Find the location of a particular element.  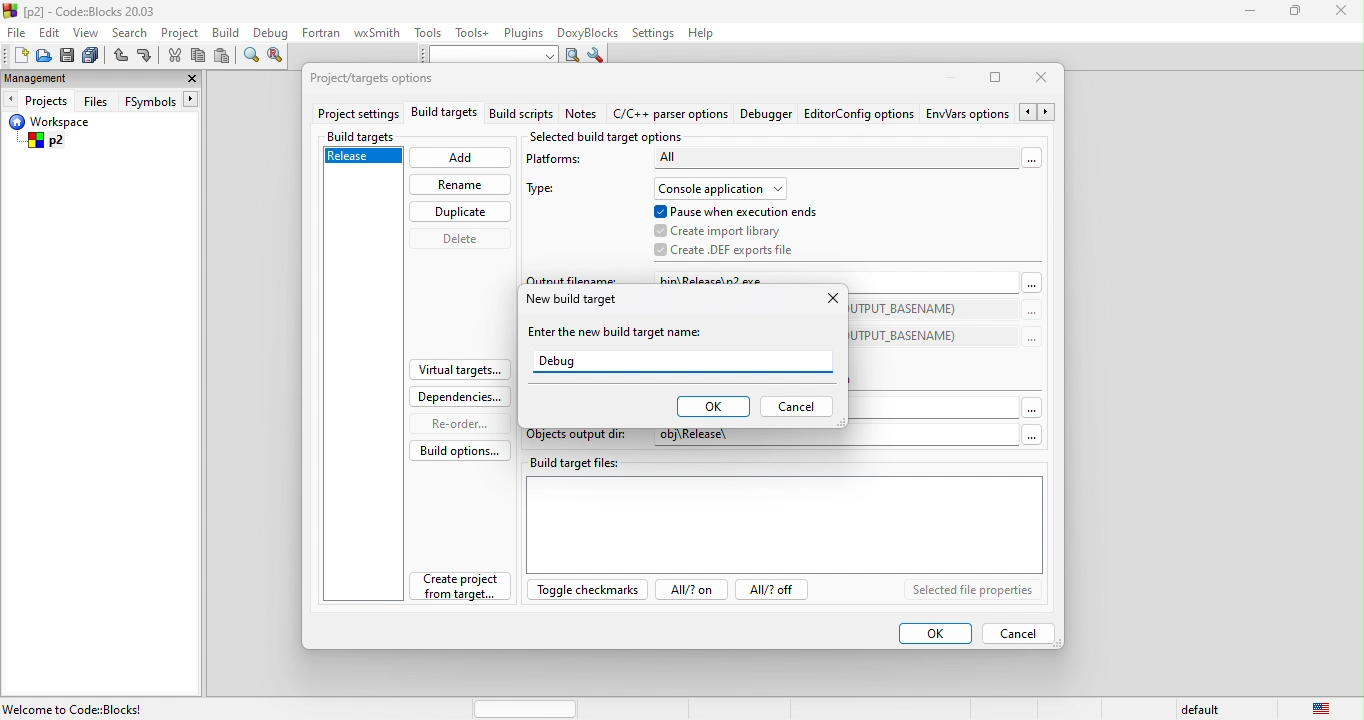

tools is located at coordinates (428, 33).